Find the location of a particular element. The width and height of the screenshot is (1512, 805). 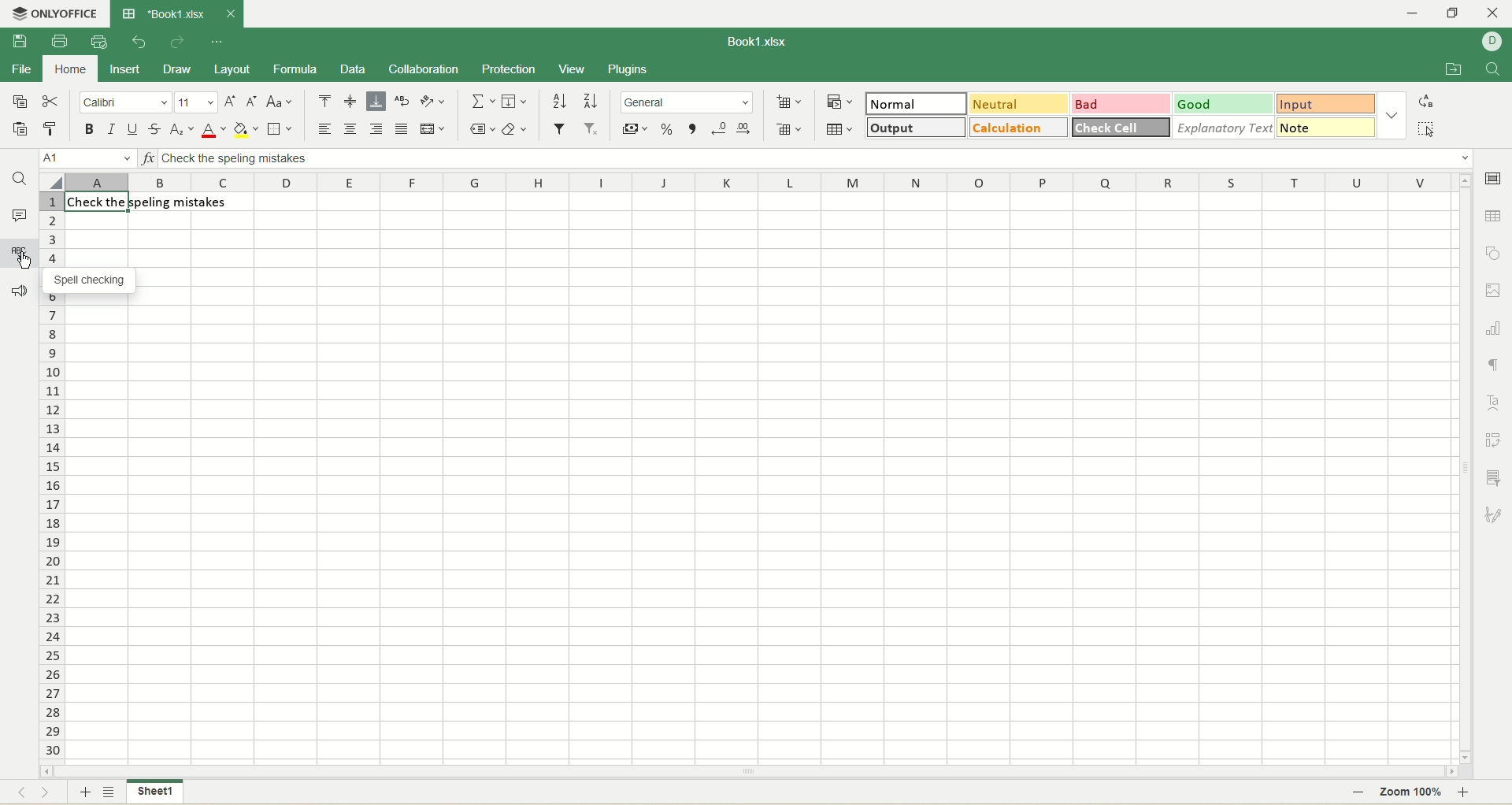

new sheet is located at coordinates (87, 793).